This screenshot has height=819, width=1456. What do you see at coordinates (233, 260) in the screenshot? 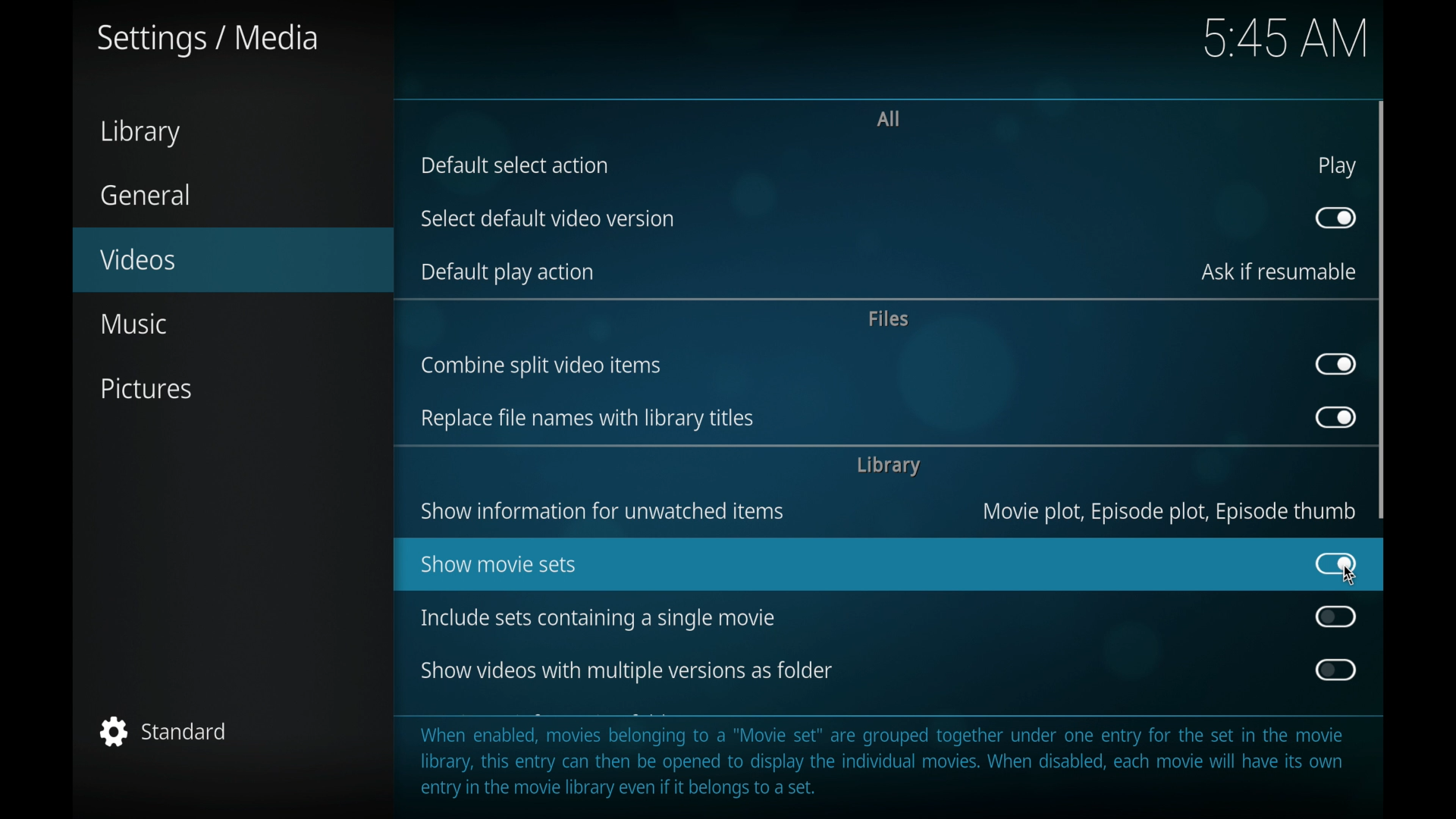
I see `videos` at bounding box center [233, 260].